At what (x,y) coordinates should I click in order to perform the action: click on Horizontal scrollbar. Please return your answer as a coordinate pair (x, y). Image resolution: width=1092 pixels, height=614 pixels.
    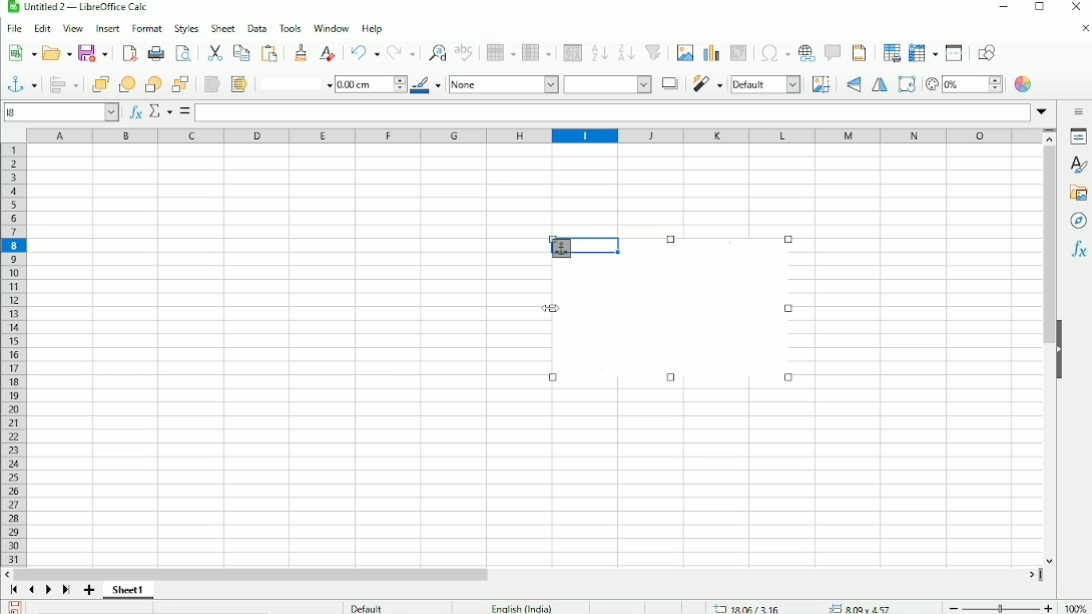
    Looking at the image, I should click on (256, 573).